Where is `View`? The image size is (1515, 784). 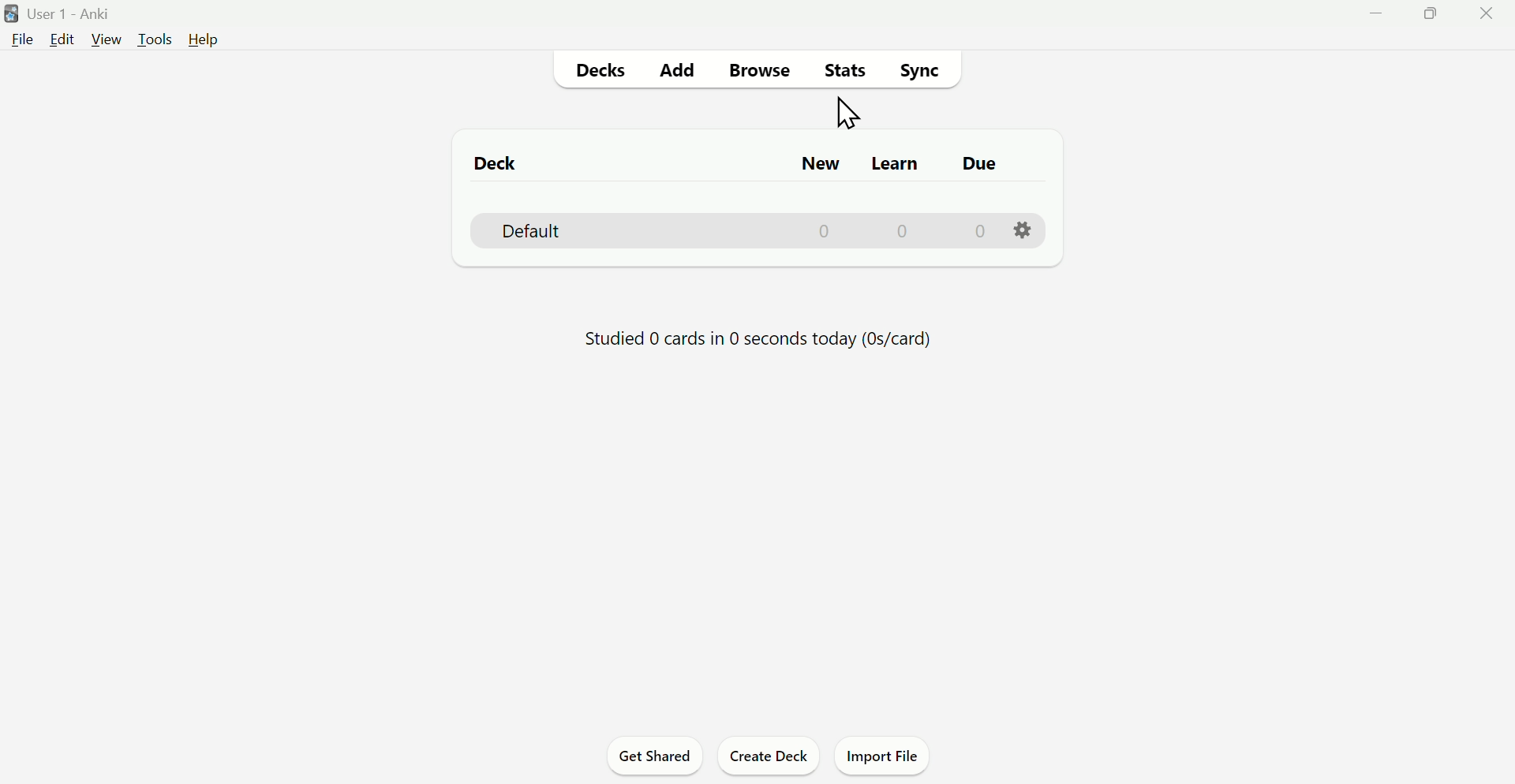
View is located at coordinates (107, 39).